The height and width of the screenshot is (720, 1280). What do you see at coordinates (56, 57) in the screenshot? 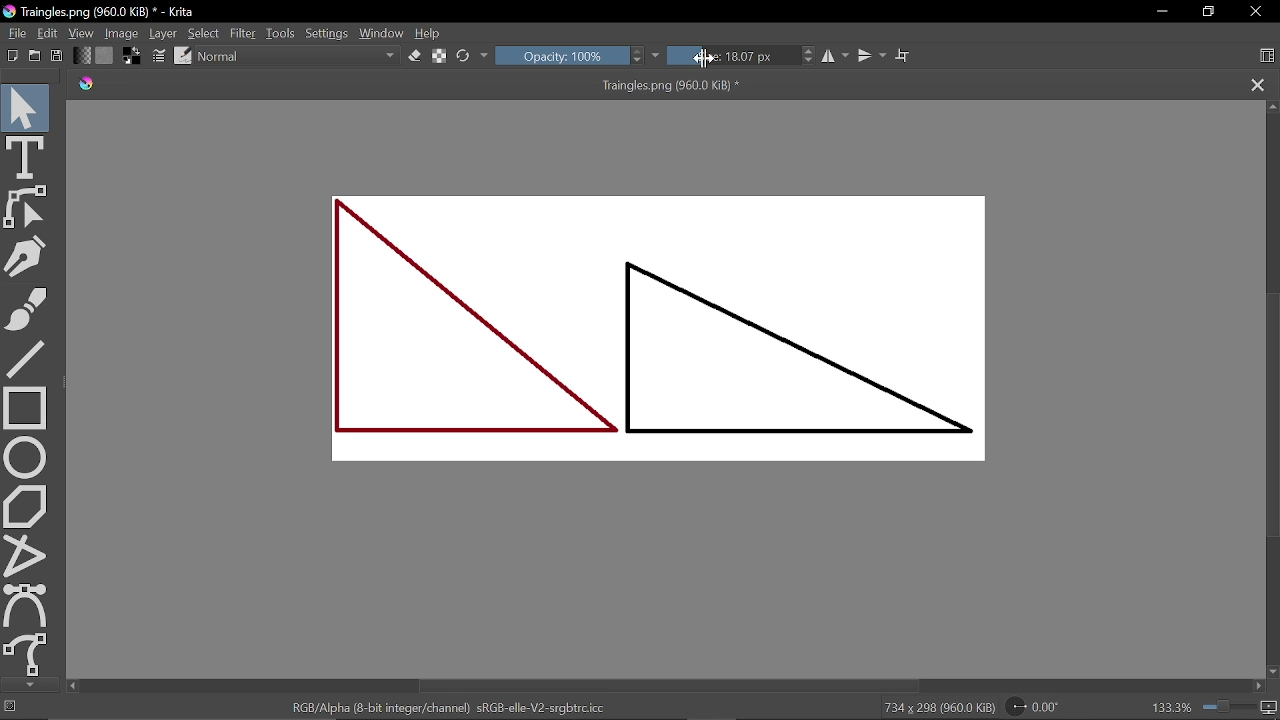
I see `Save` at bounding box center [56, 57].